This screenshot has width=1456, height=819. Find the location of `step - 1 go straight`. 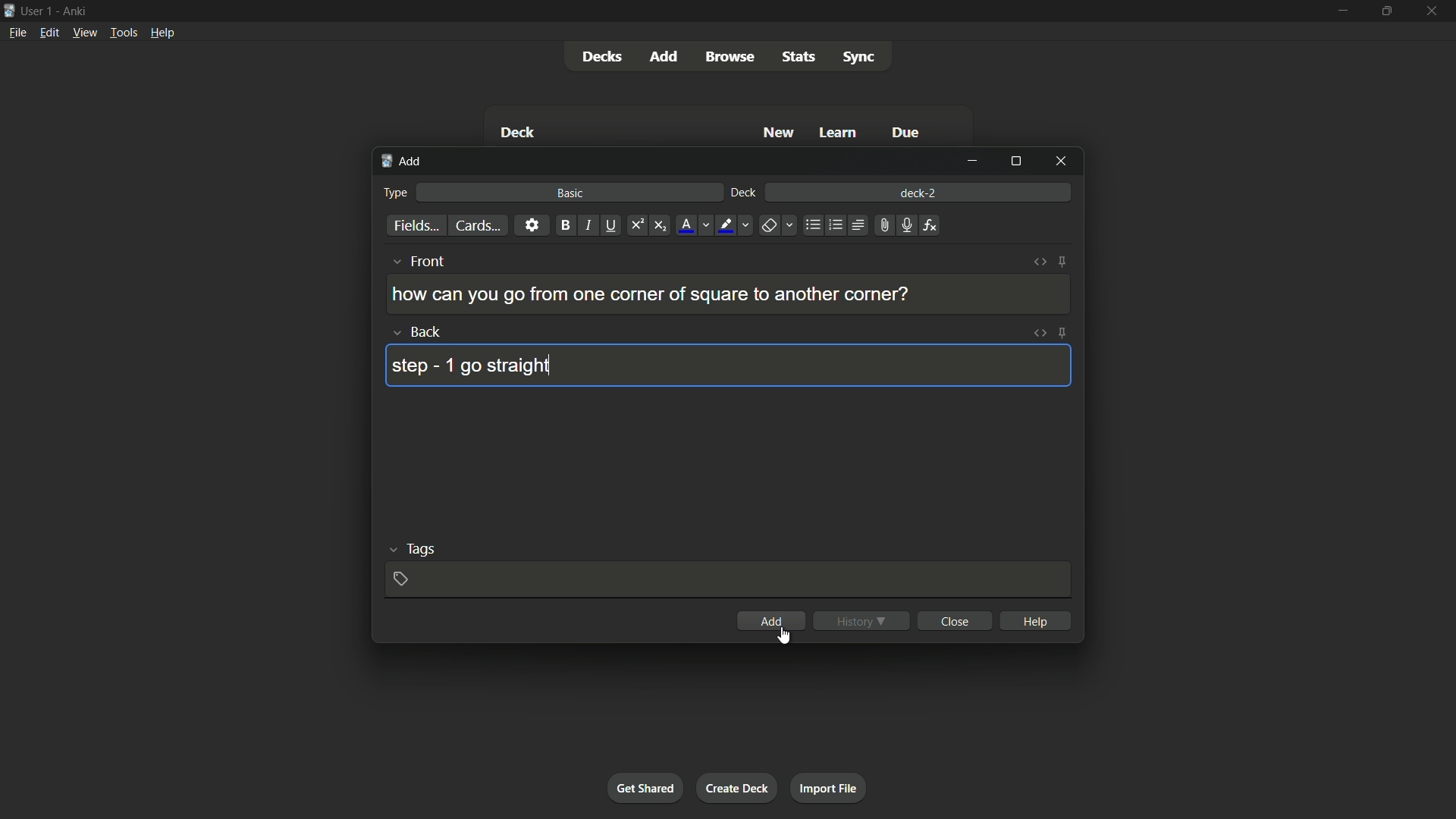

step - 1 go straight is located at coordinates (468, 366).